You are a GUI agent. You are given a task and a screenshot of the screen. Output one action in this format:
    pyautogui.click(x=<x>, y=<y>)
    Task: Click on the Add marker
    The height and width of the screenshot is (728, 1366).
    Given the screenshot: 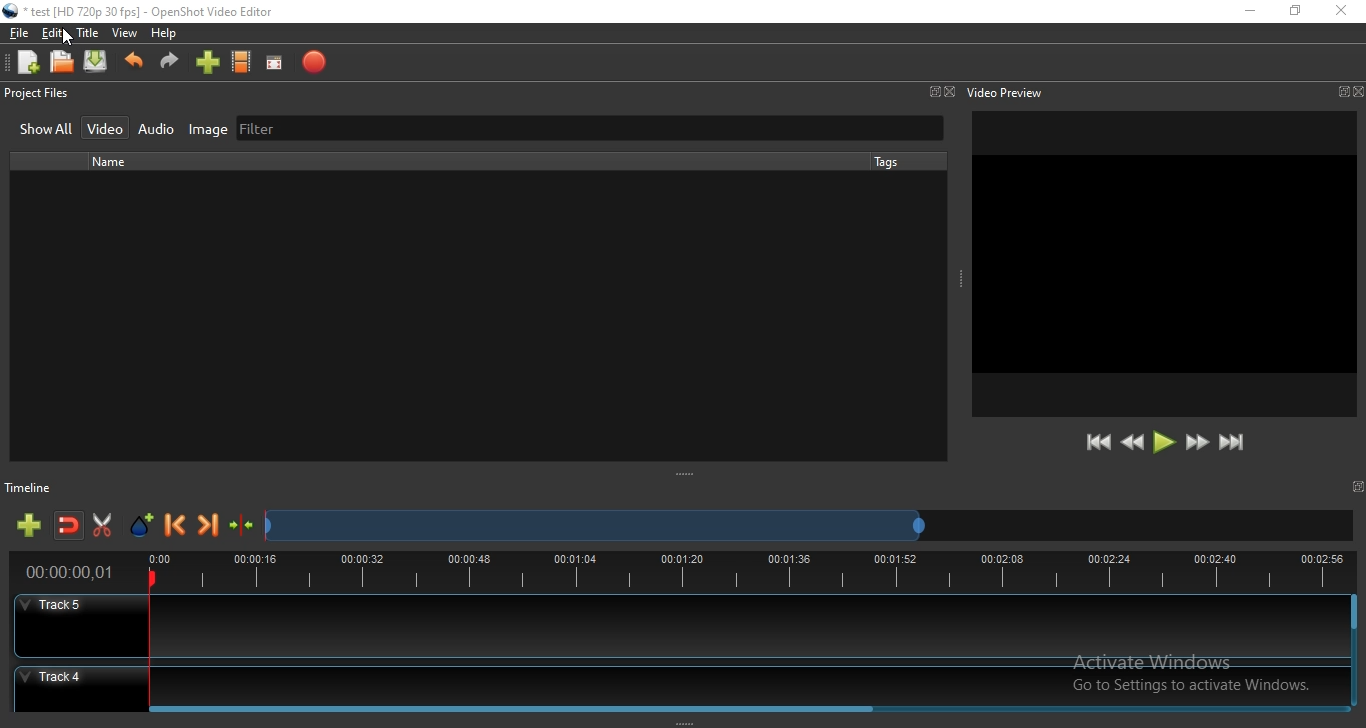 What is the action you would take?
    pyautogui.click(x=143, y=526)
    